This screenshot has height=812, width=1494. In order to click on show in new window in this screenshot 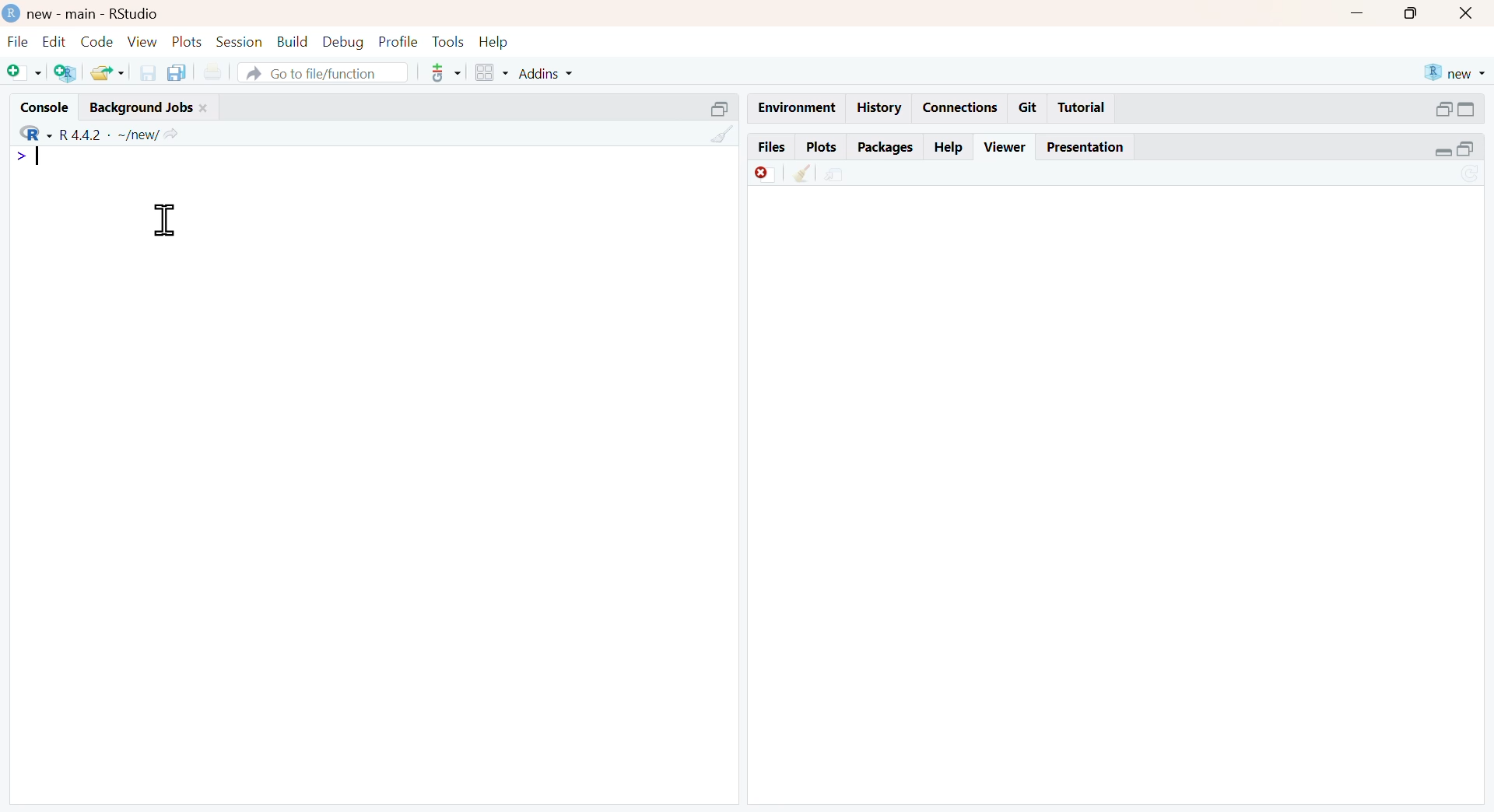, I will do `click(849, 175)`.